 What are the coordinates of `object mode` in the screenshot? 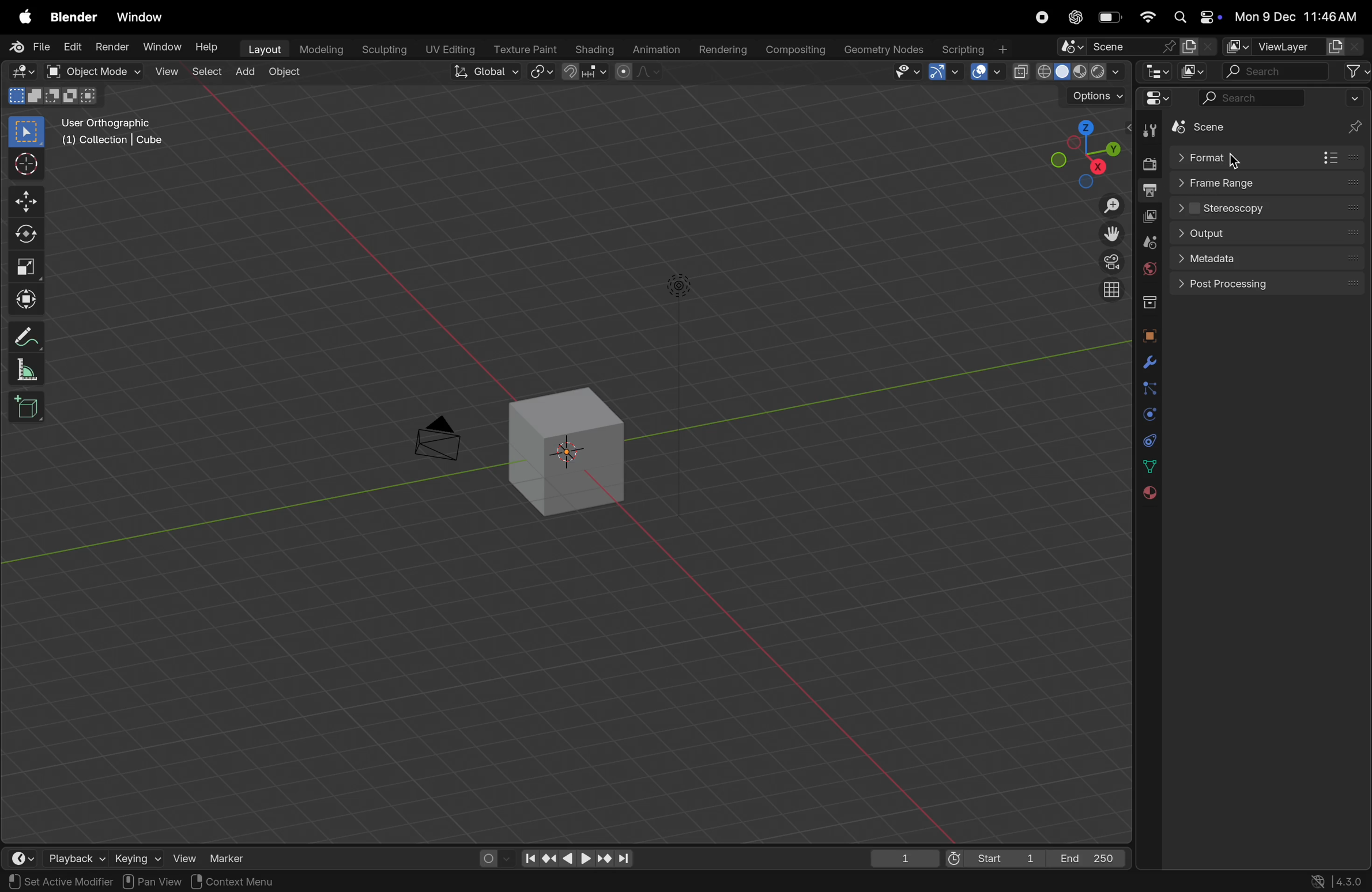 It's located at (93, 72).